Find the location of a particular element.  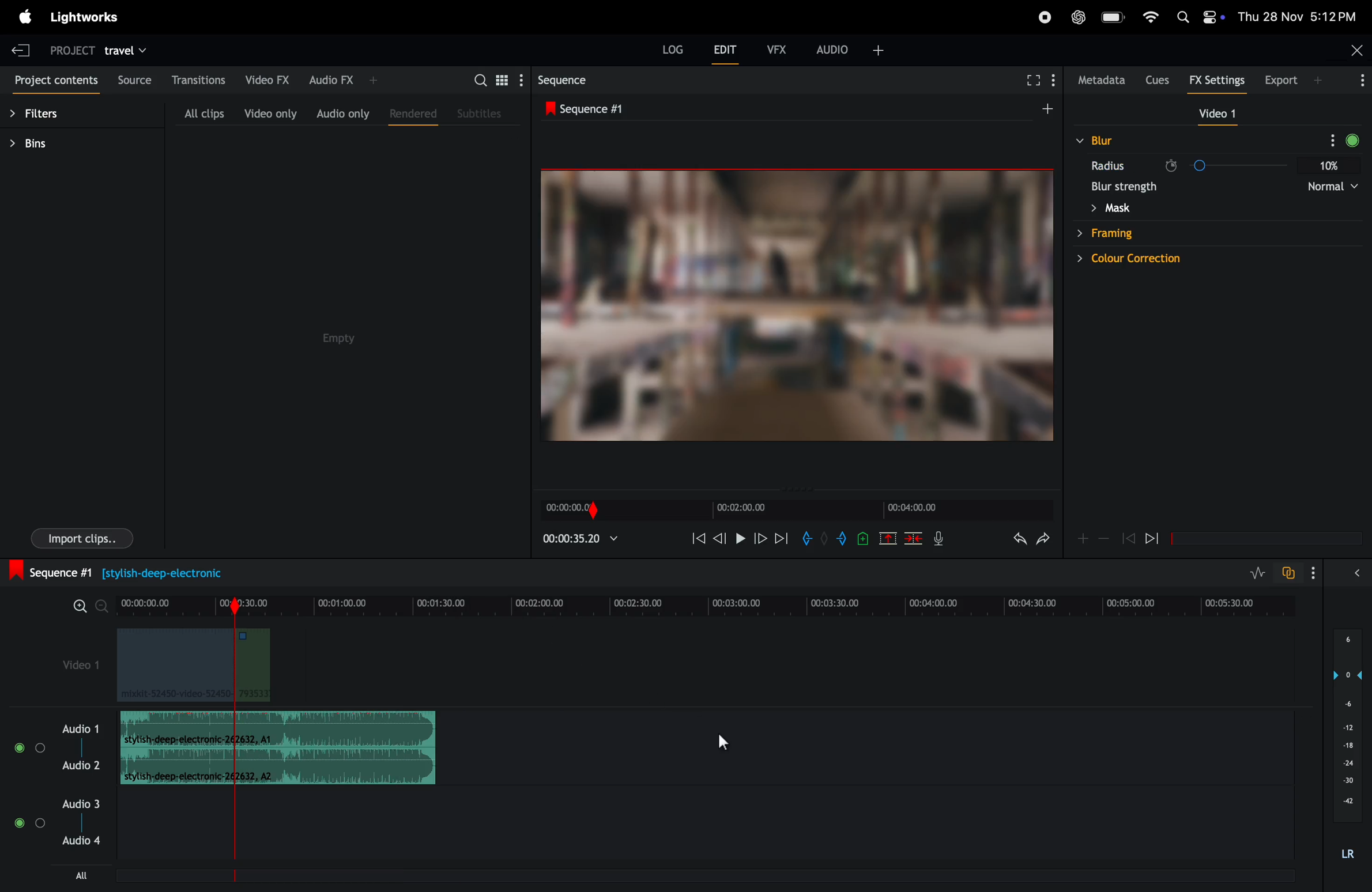

video 1 is located at coordinates (82, 668).